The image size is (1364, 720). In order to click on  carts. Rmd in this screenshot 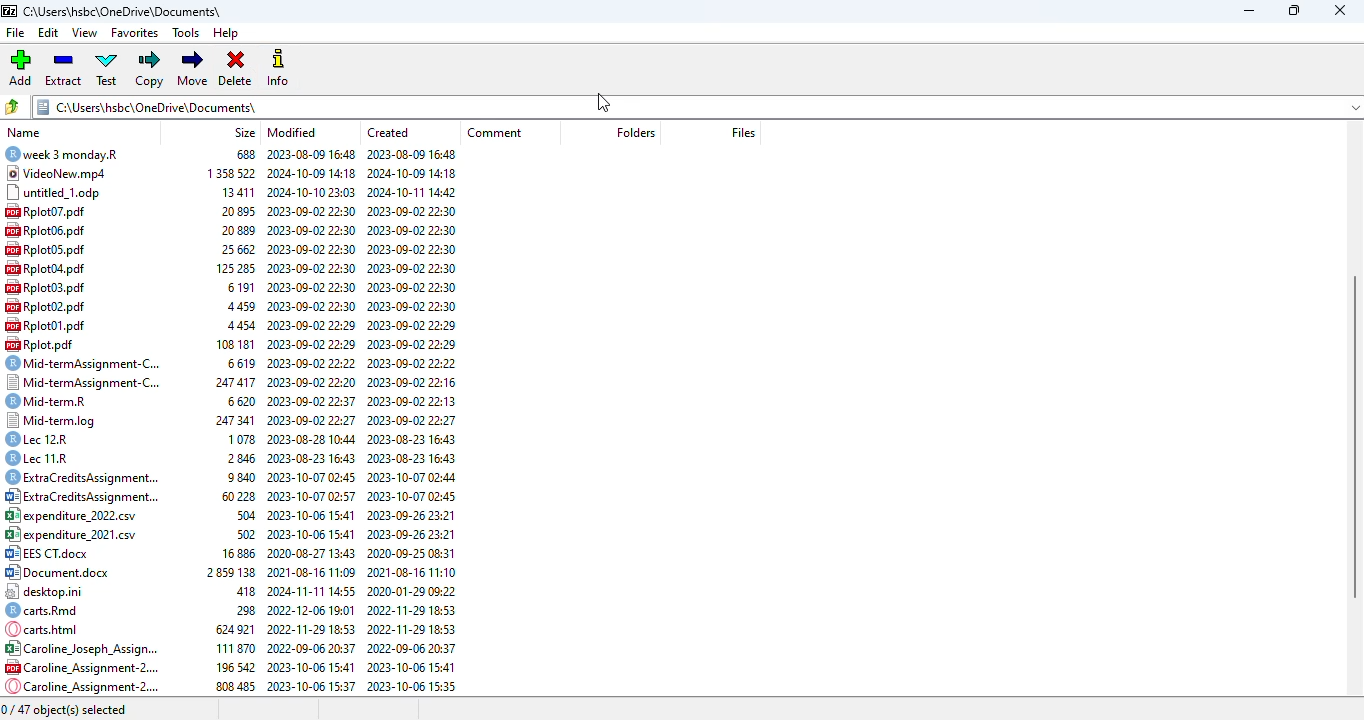, I will do `click(49, 611)`.